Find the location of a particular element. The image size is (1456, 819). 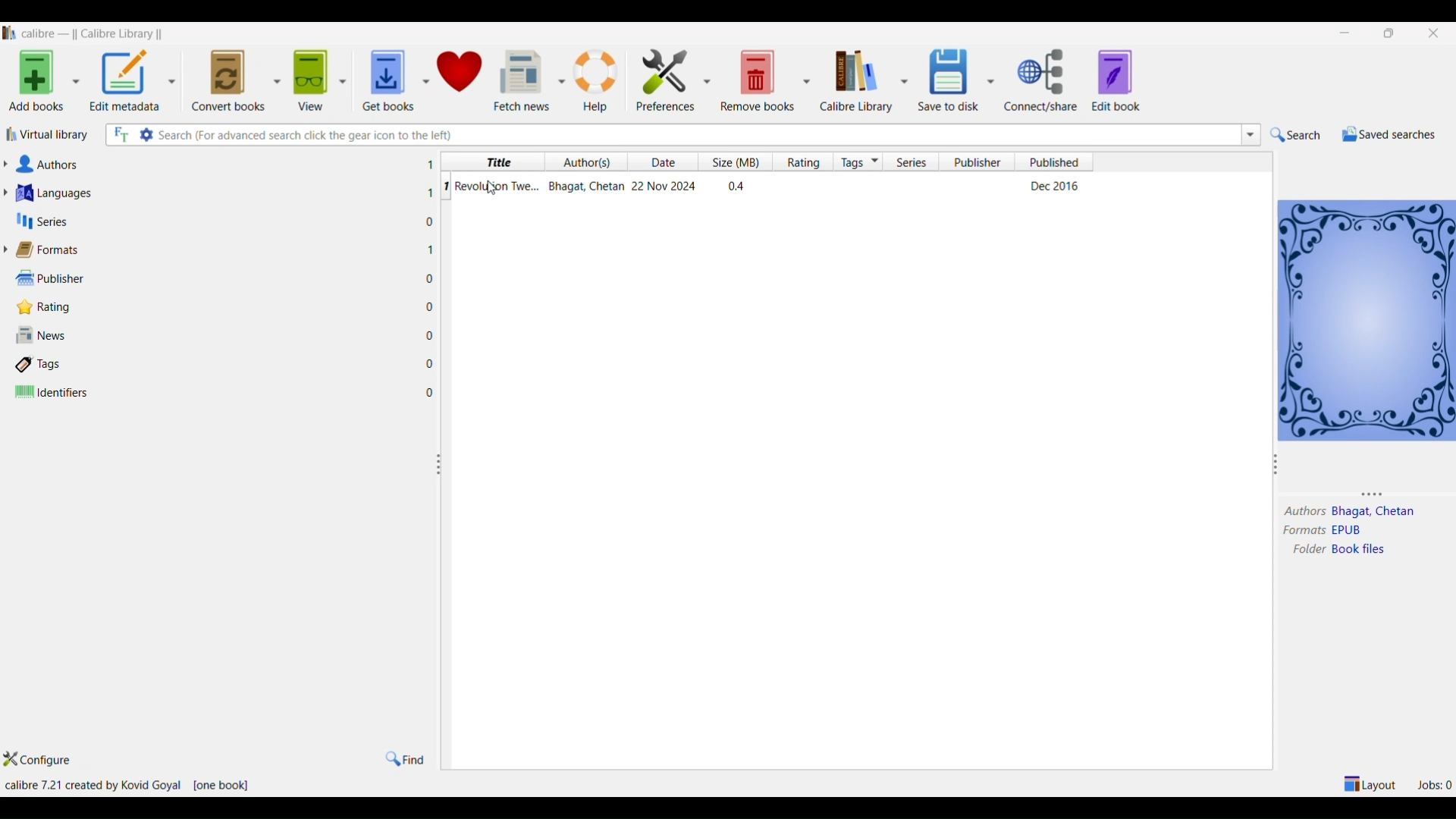

maximize  is located at coordinates (1392, 33).